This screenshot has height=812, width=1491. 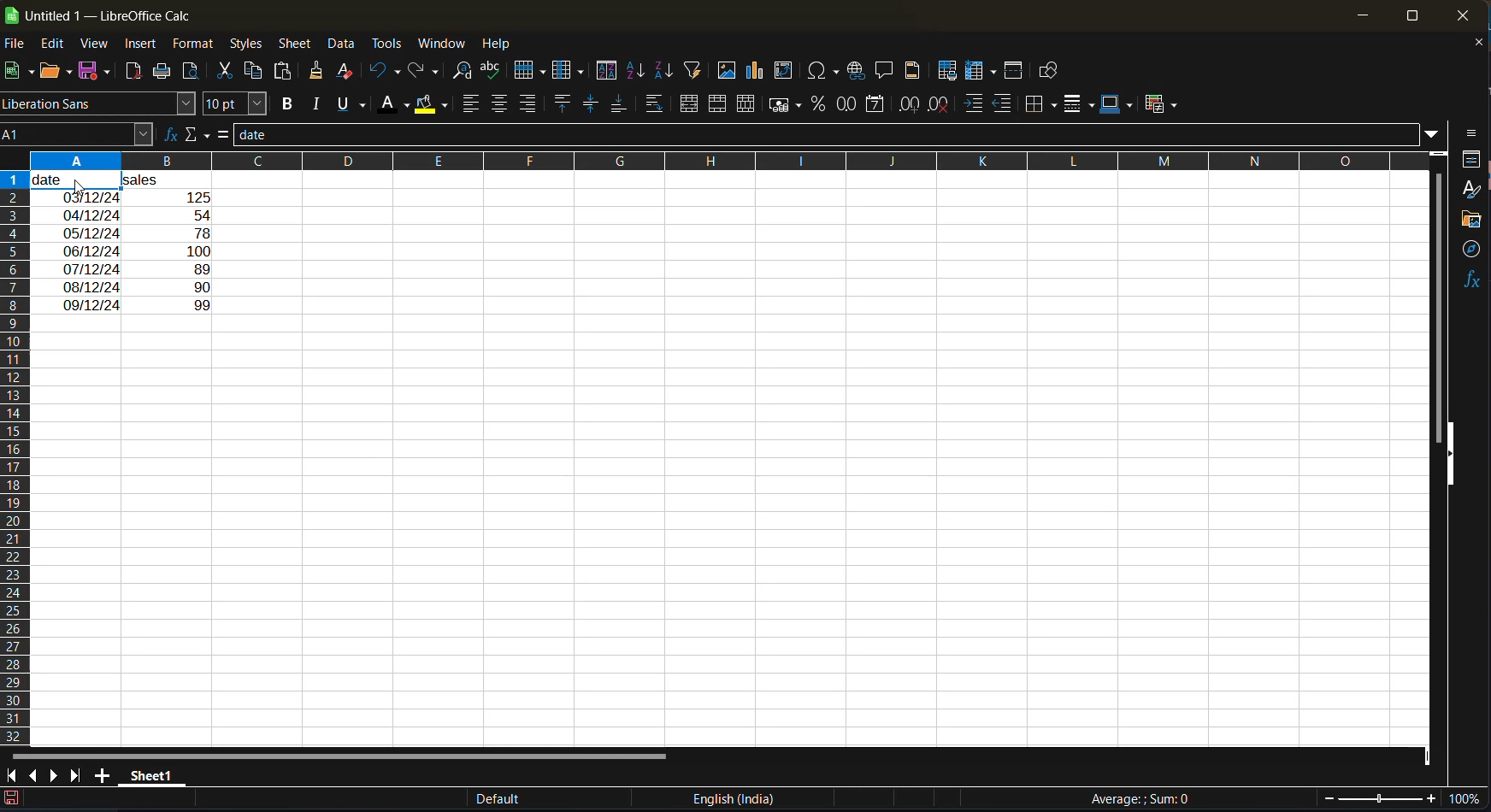 What do you see at coordinates (193, 72) in the screenshot?
I see `toggle print preview` at bounding box center [193, 72].